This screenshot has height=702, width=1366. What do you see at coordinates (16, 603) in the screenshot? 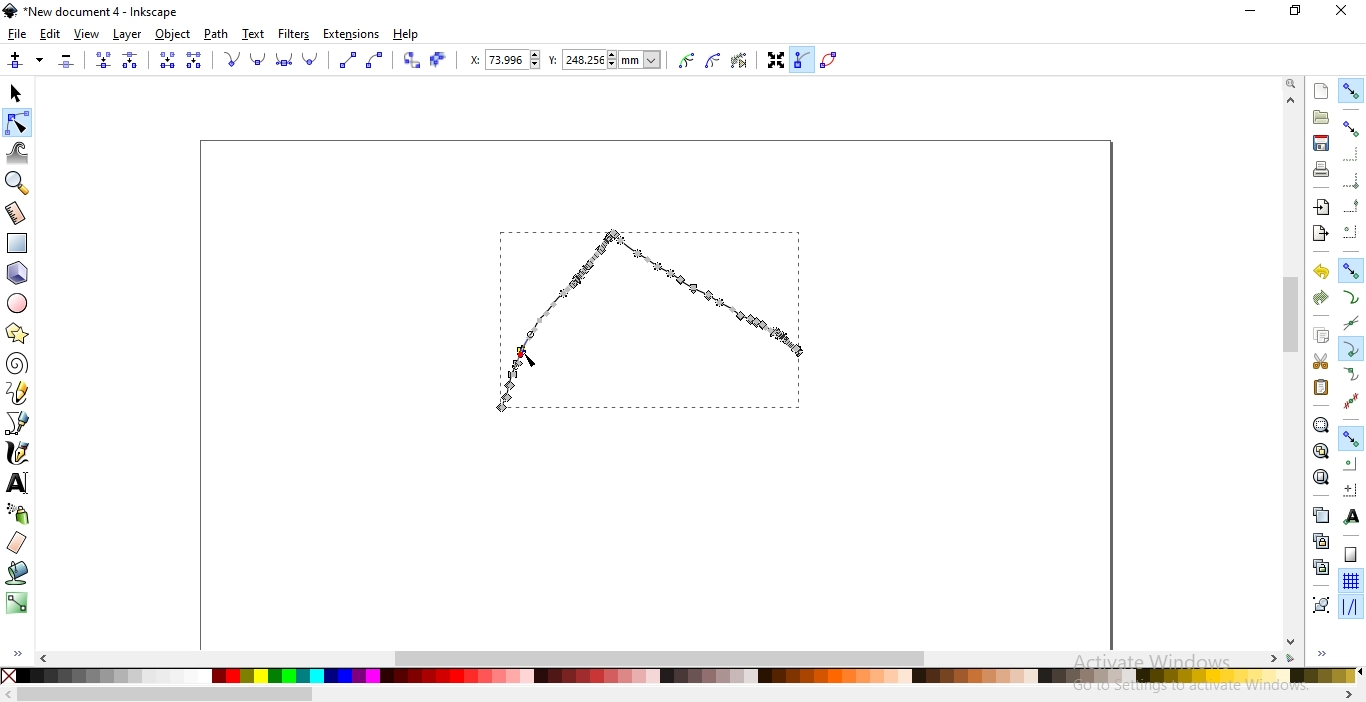
I see `create or edit gradients` at bounding box center [16, 603].